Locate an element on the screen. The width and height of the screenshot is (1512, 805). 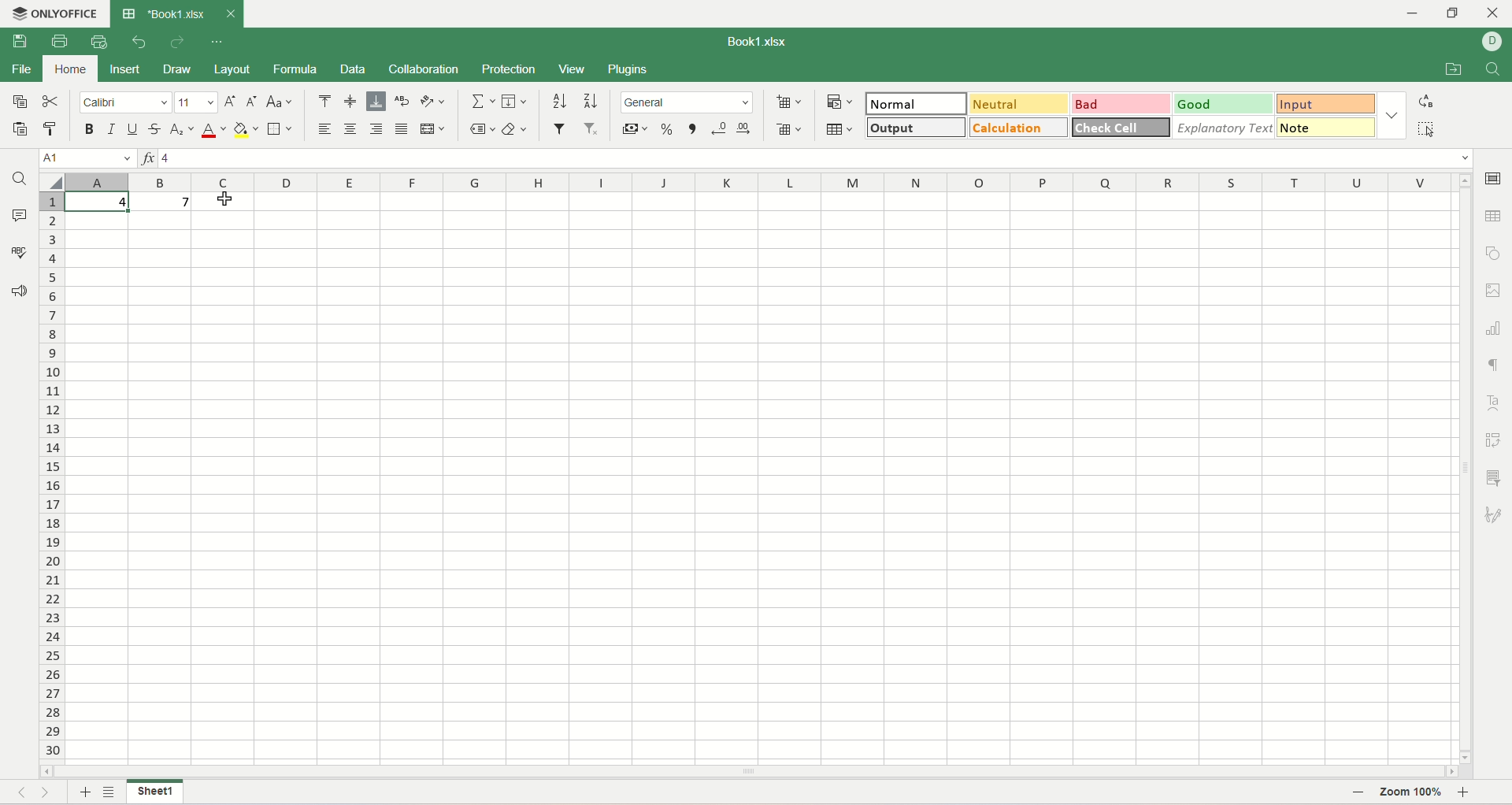
next is located at coordinates (50, 792).